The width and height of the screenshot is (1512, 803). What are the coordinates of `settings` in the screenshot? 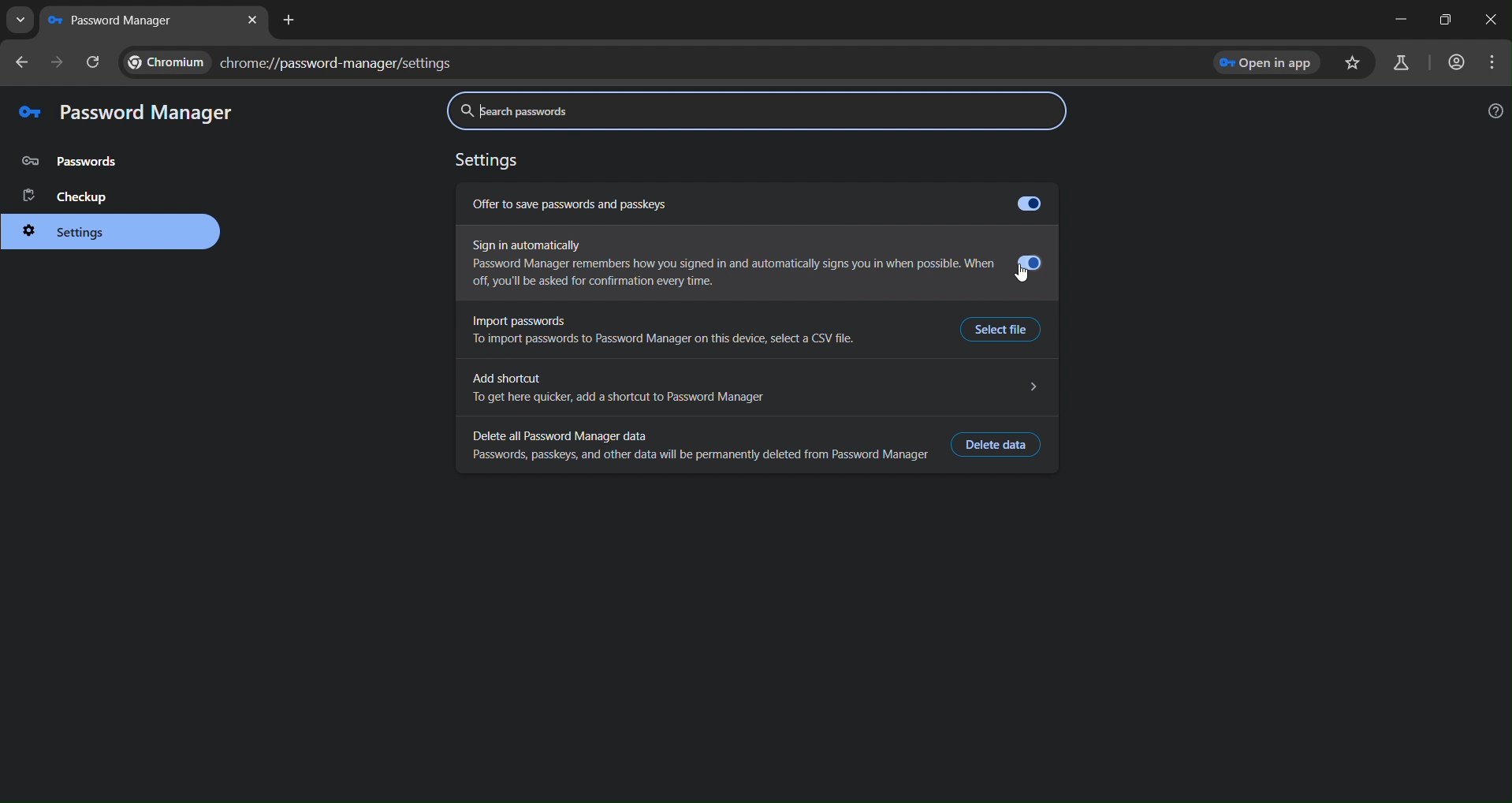 It's located at (78, 233).